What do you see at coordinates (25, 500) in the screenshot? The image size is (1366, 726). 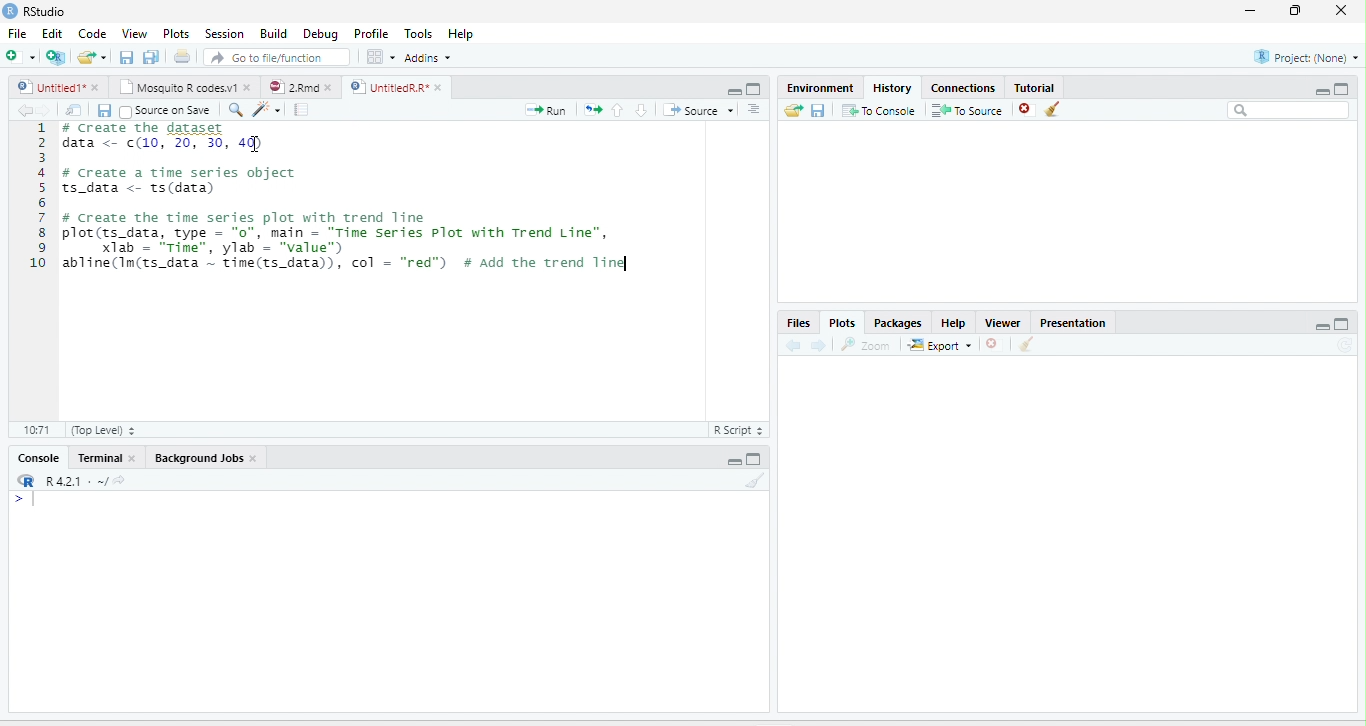 I see `New line` at bounding box center [25, 500].